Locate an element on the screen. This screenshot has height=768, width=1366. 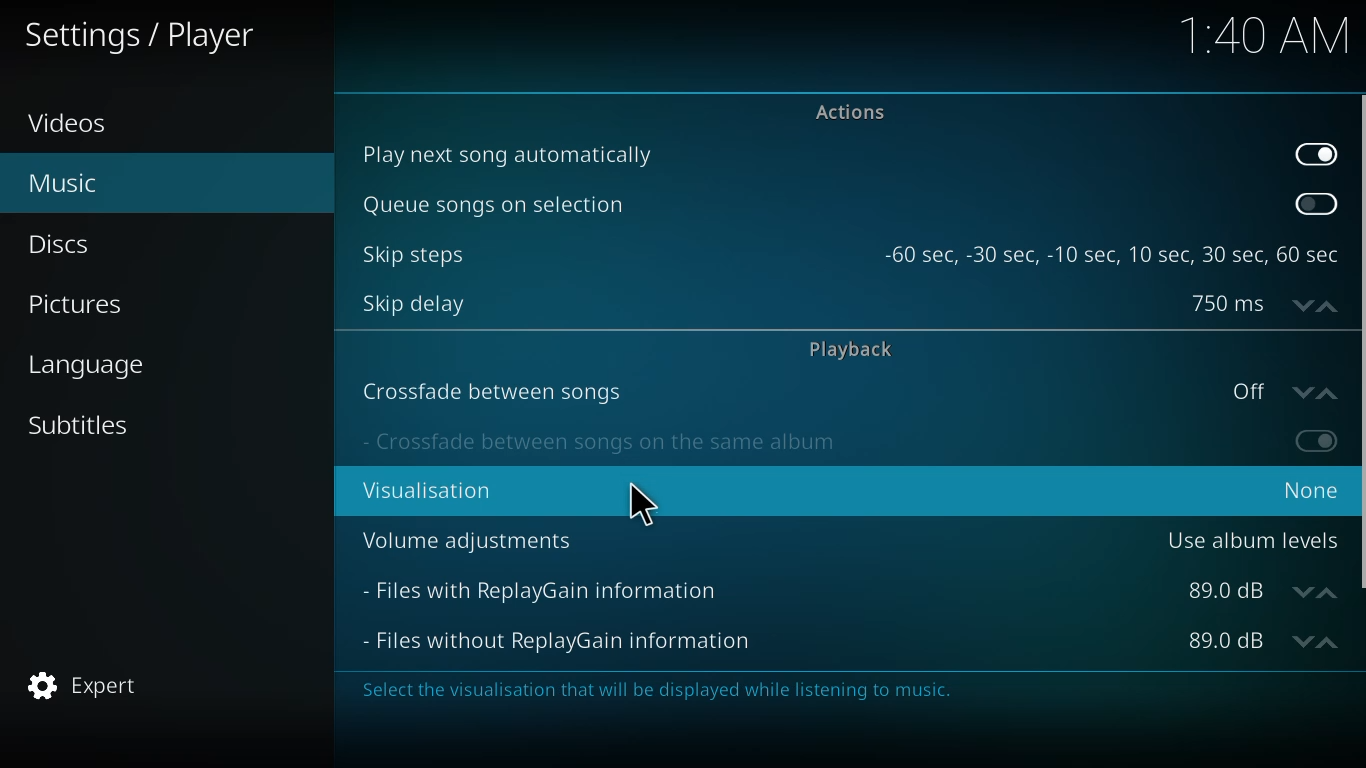
delay is located at coordinates (1255, 303).